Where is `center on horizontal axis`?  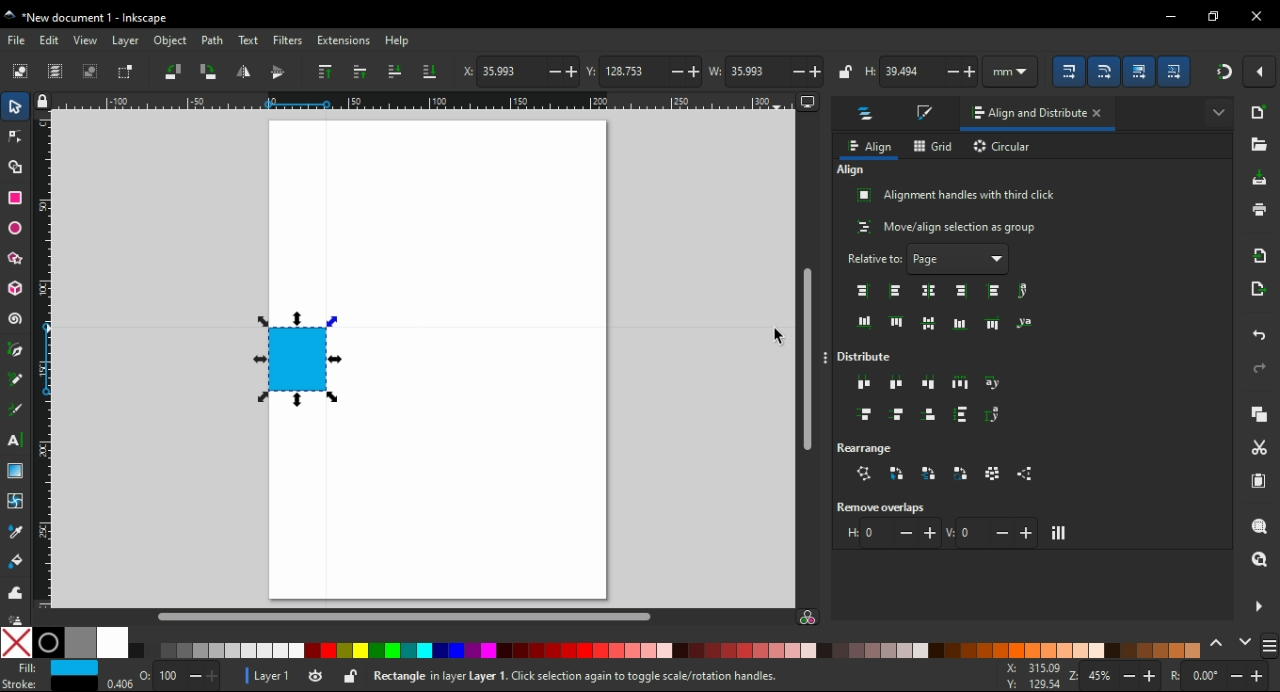 center on horizontal axis is located at coordinates (931, 324).